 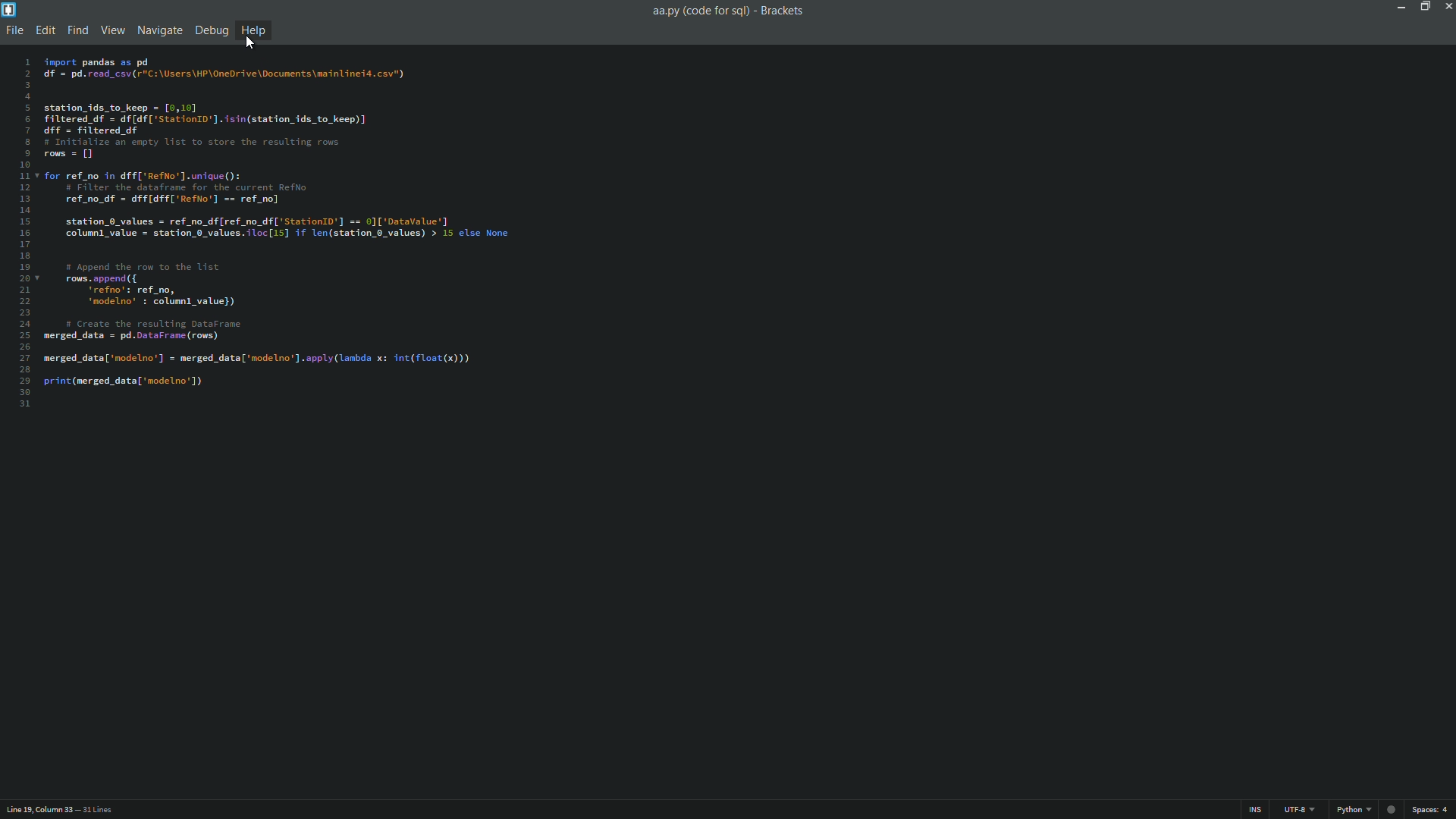 What do you see at coordinates (159, 30) in the screenshot?
I see `navigate menu` at bounding box center [159, 30].